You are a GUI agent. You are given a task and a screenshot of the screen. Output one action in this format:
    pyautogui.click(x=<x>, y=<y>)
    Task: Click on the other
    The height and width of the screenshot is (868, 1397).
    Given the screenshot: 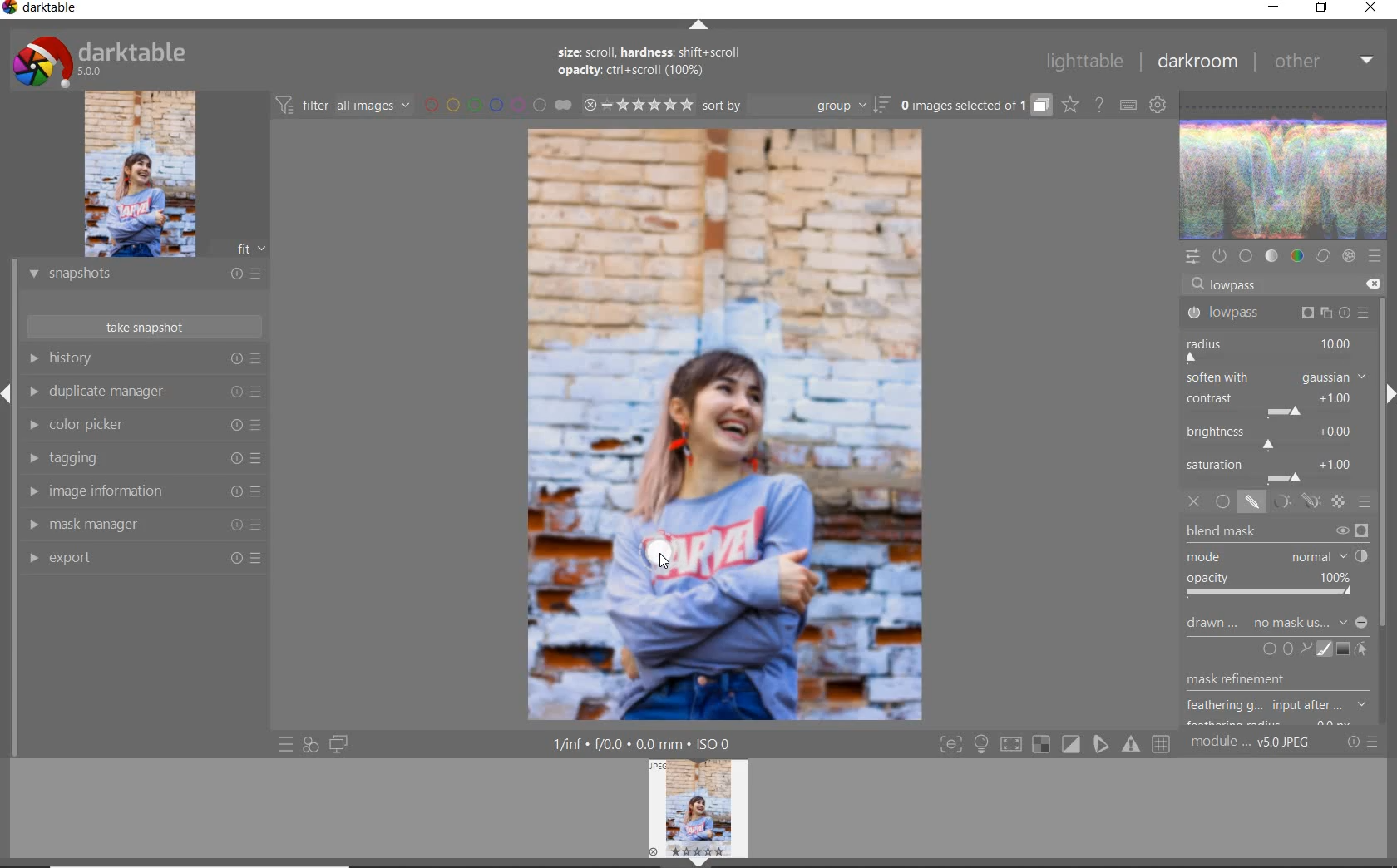 What is the action you would take?
    pyautogui.click(x=1323, y=65)
    